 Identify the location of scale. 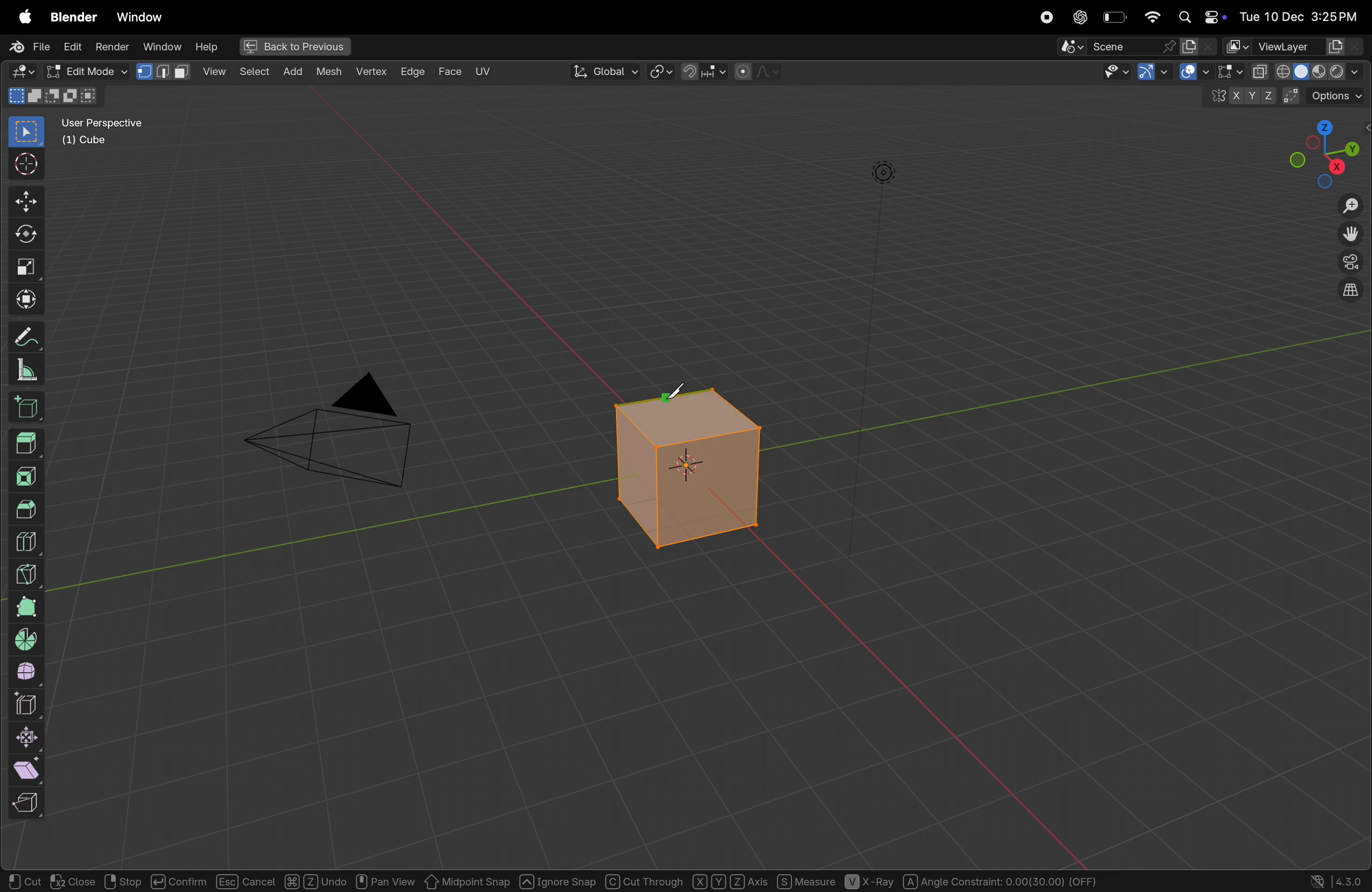
(22, 269).